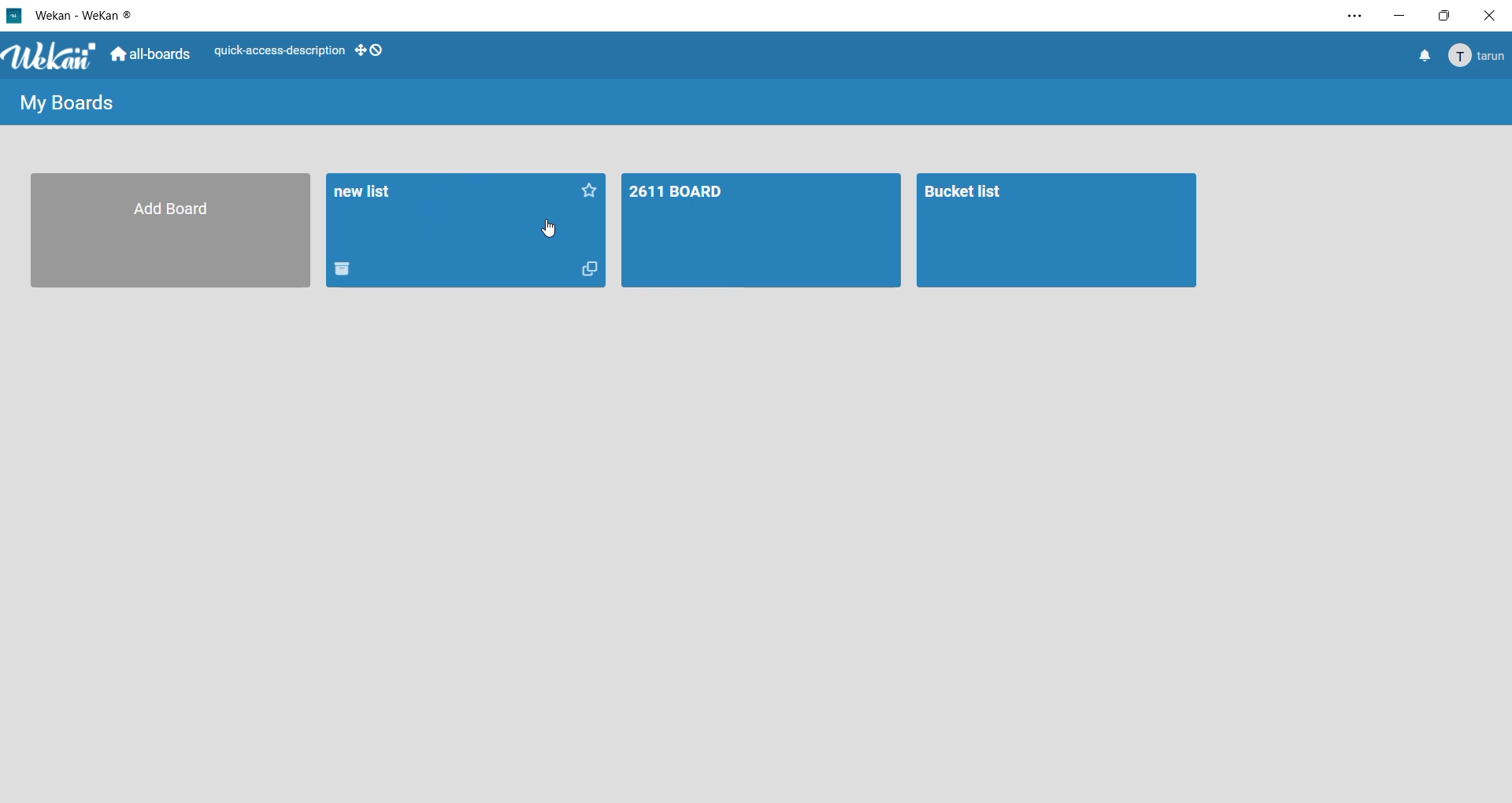 The width and height of the screenshot is (1512, 803). What do you see at coordinates (1479, 57) in the screenshot?
I see `profile` at bounding box center [1479, 57].